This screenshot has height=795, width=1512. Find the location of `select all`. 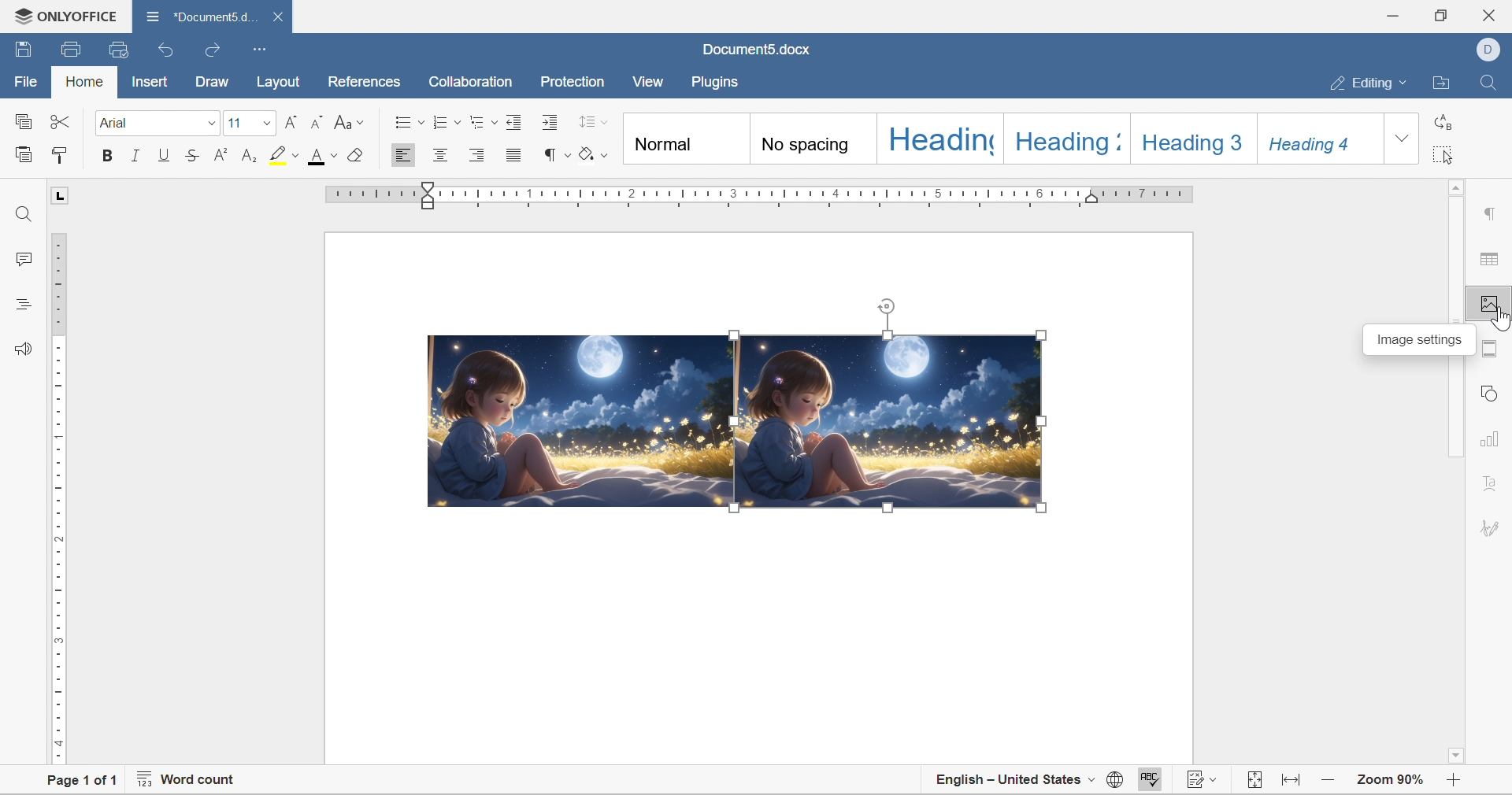

select all is located at coordinates (1443, 154).